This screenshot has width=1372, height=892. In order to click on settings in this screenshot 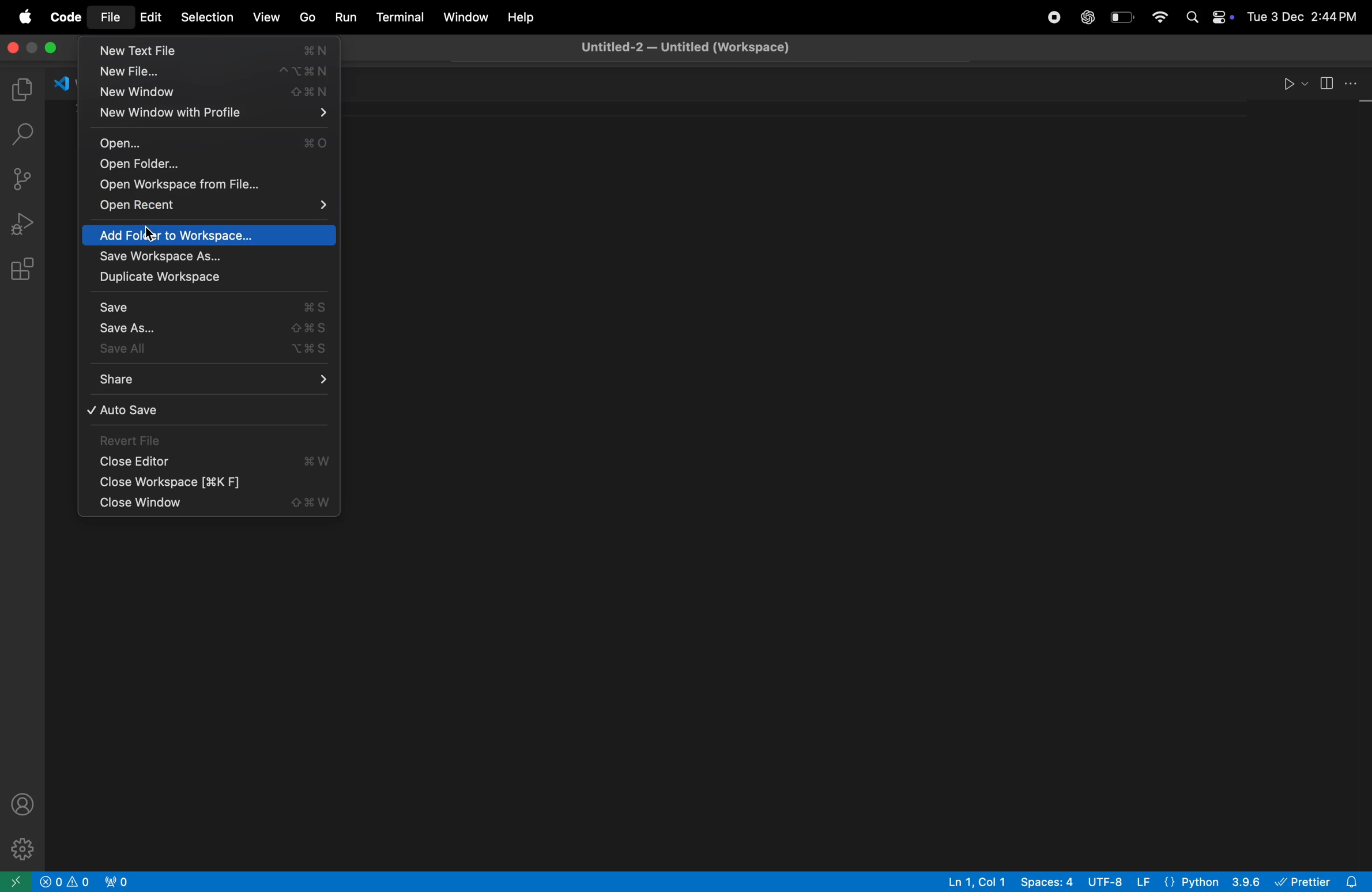, I will do `click(21, 848)`.